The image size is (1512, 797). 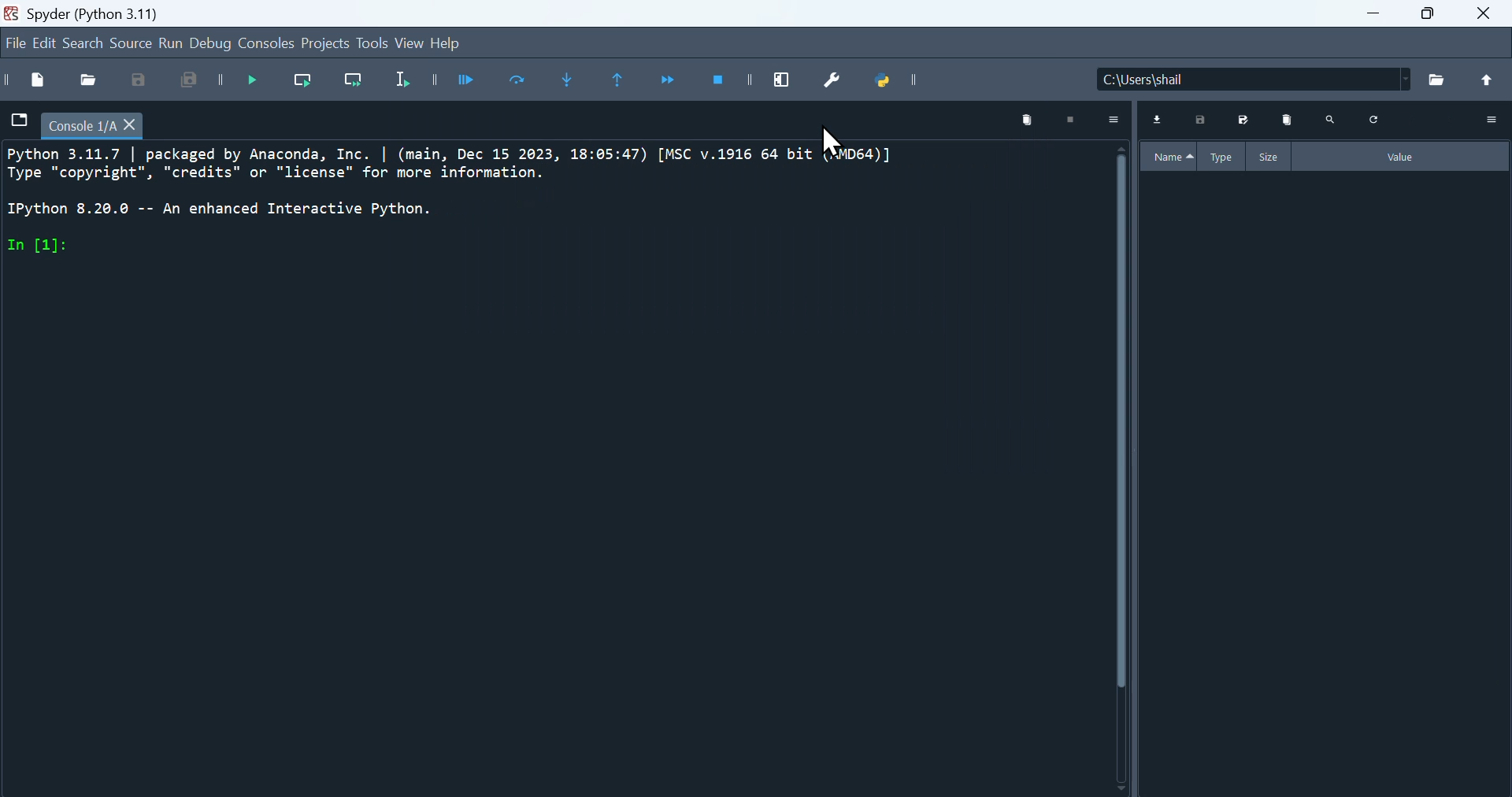 I want to click on Name of the file, so click(x=1304, y=77).